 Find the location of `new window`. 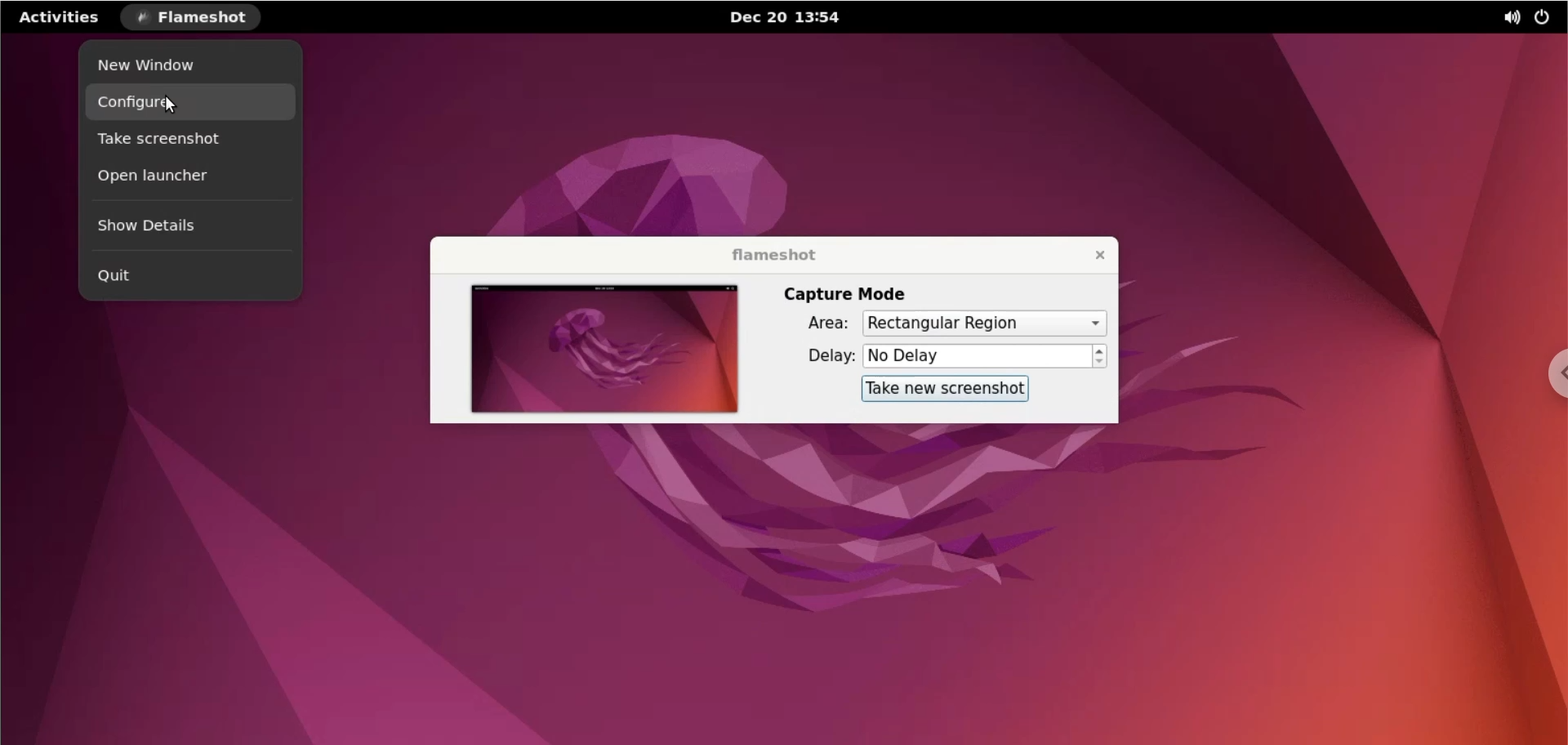

new window is located at coordinates (192, 66).